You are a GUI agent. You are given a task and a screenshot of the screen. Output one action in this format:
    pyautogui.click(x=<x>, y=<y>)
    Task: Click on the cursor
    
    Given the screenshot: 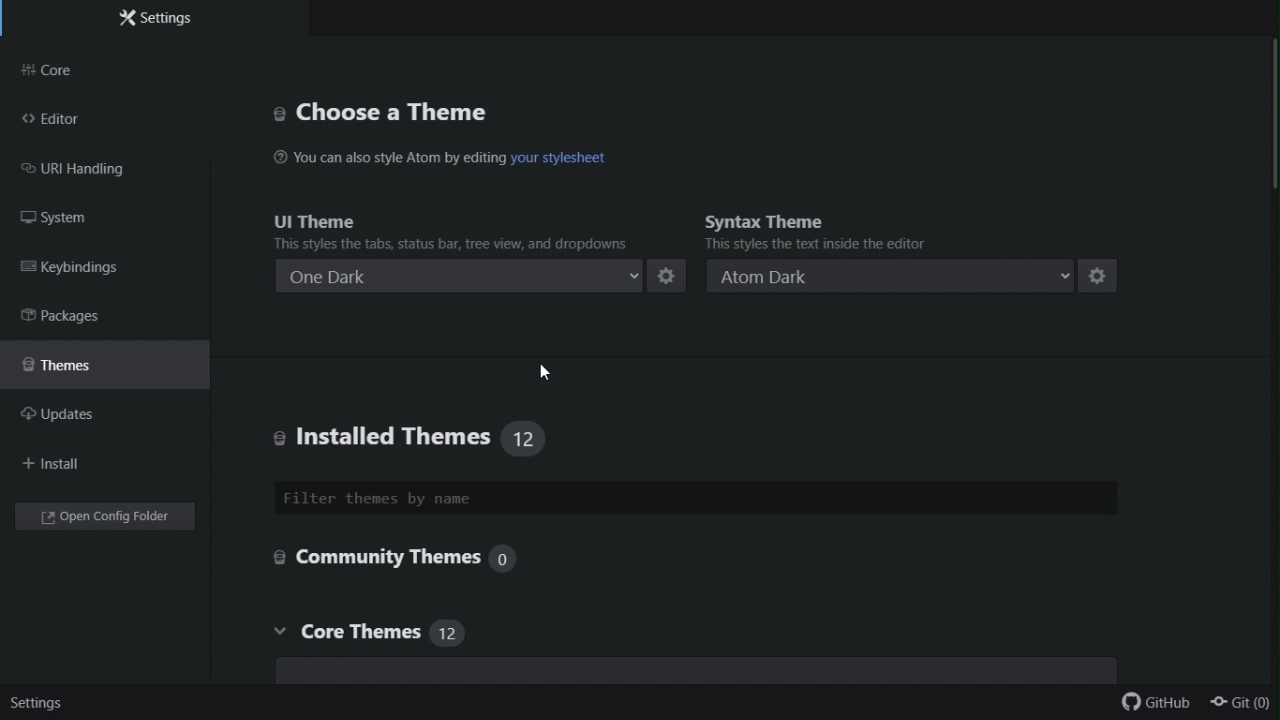 What is the action you would take?
    pyautogui.click(x=549, y=374)
    